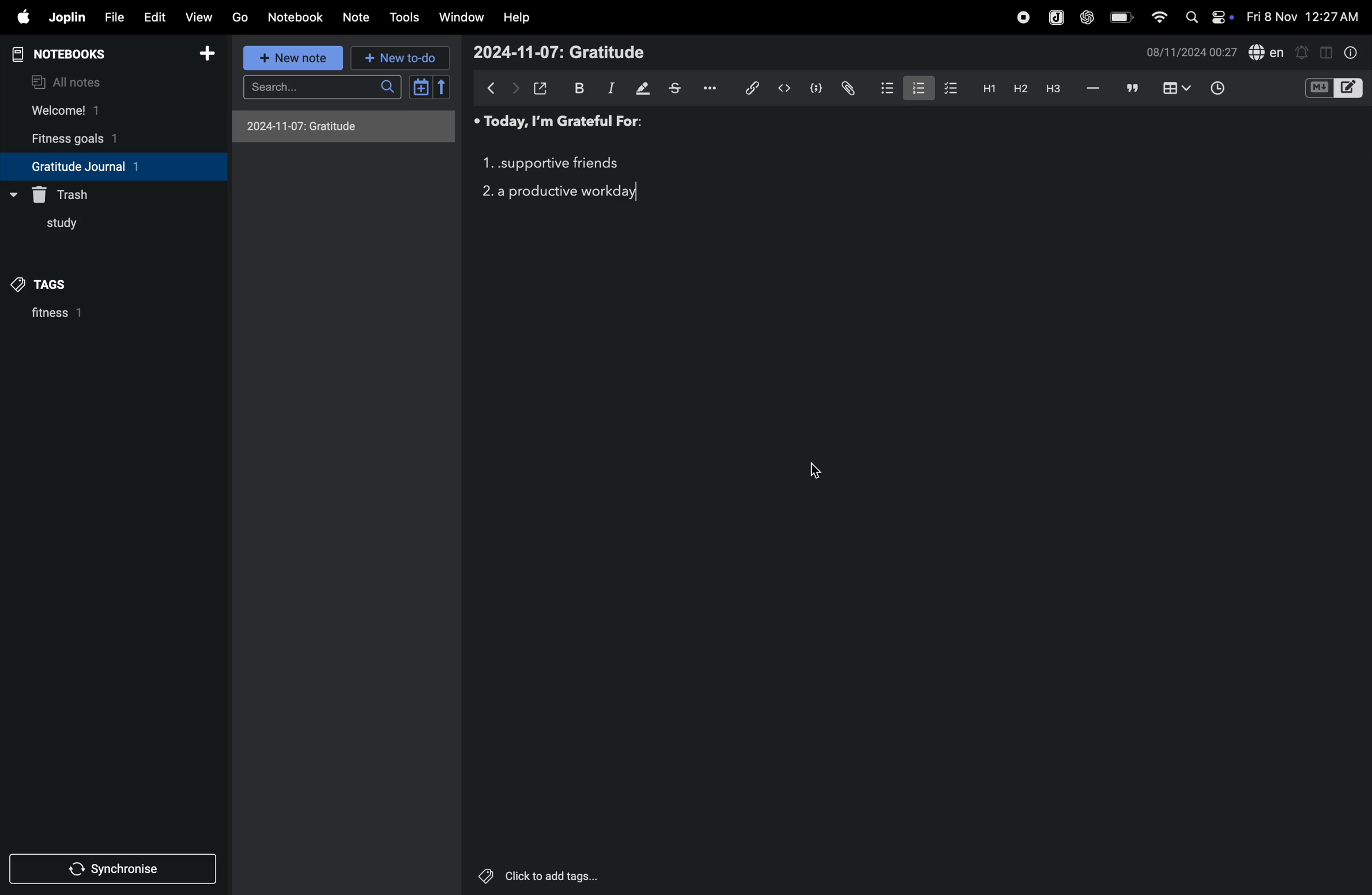 Image resolution: width=1372 pixels, height=895 pixels. What do you see at coordinates (326, 86) in the screenshot?
I see `search bar` at bounding box center [326, 86].